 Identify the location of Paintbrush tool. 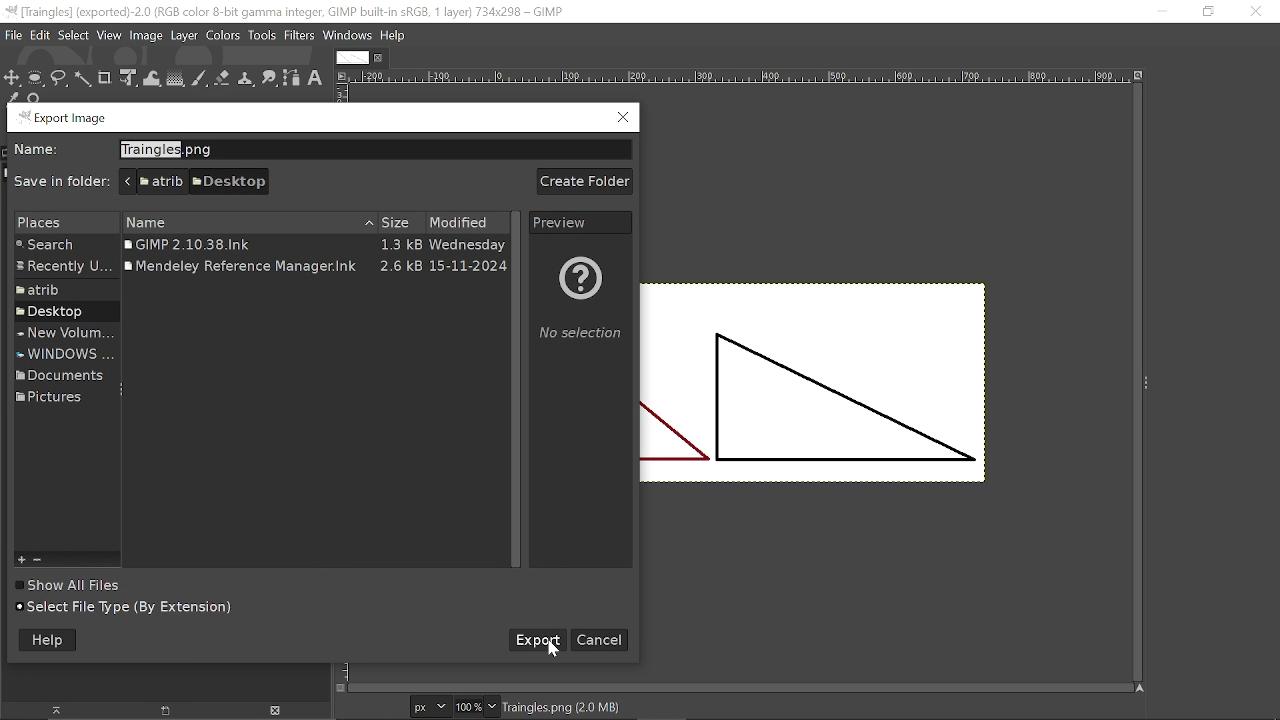
(200, 79).